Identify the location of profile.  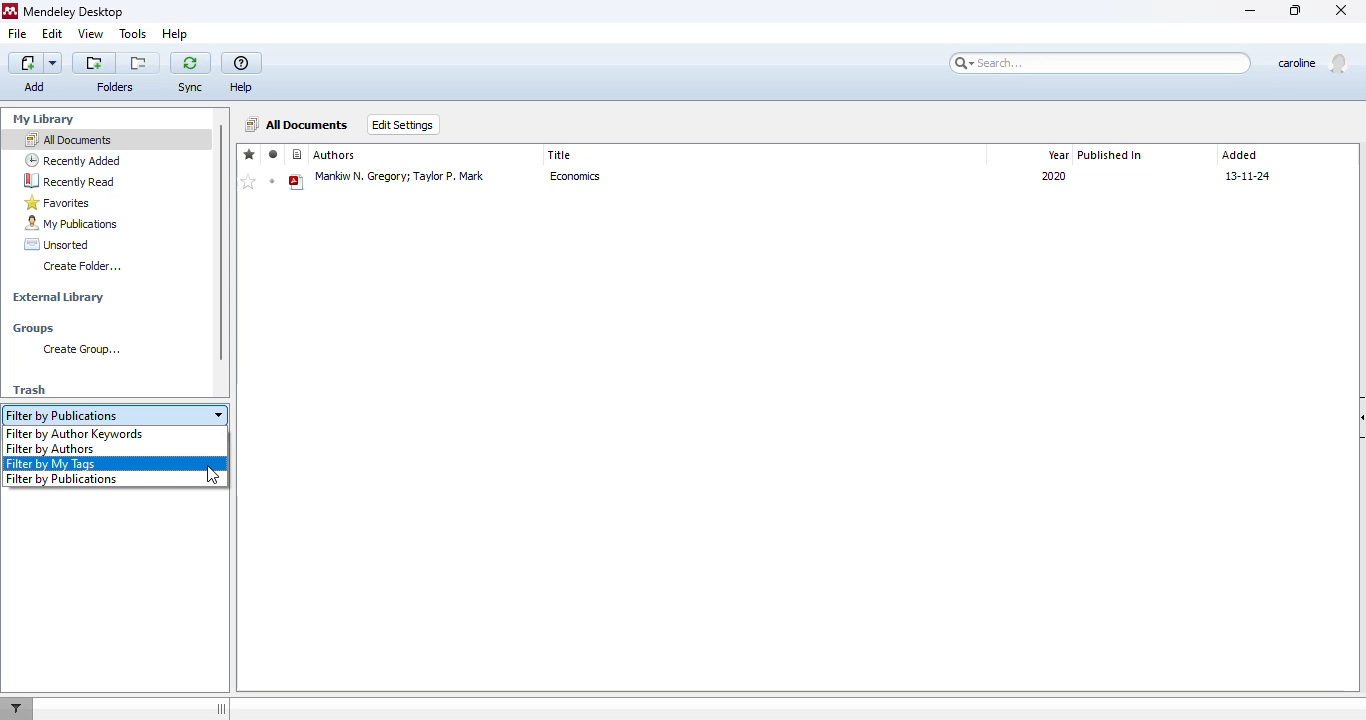
(1311, 63).